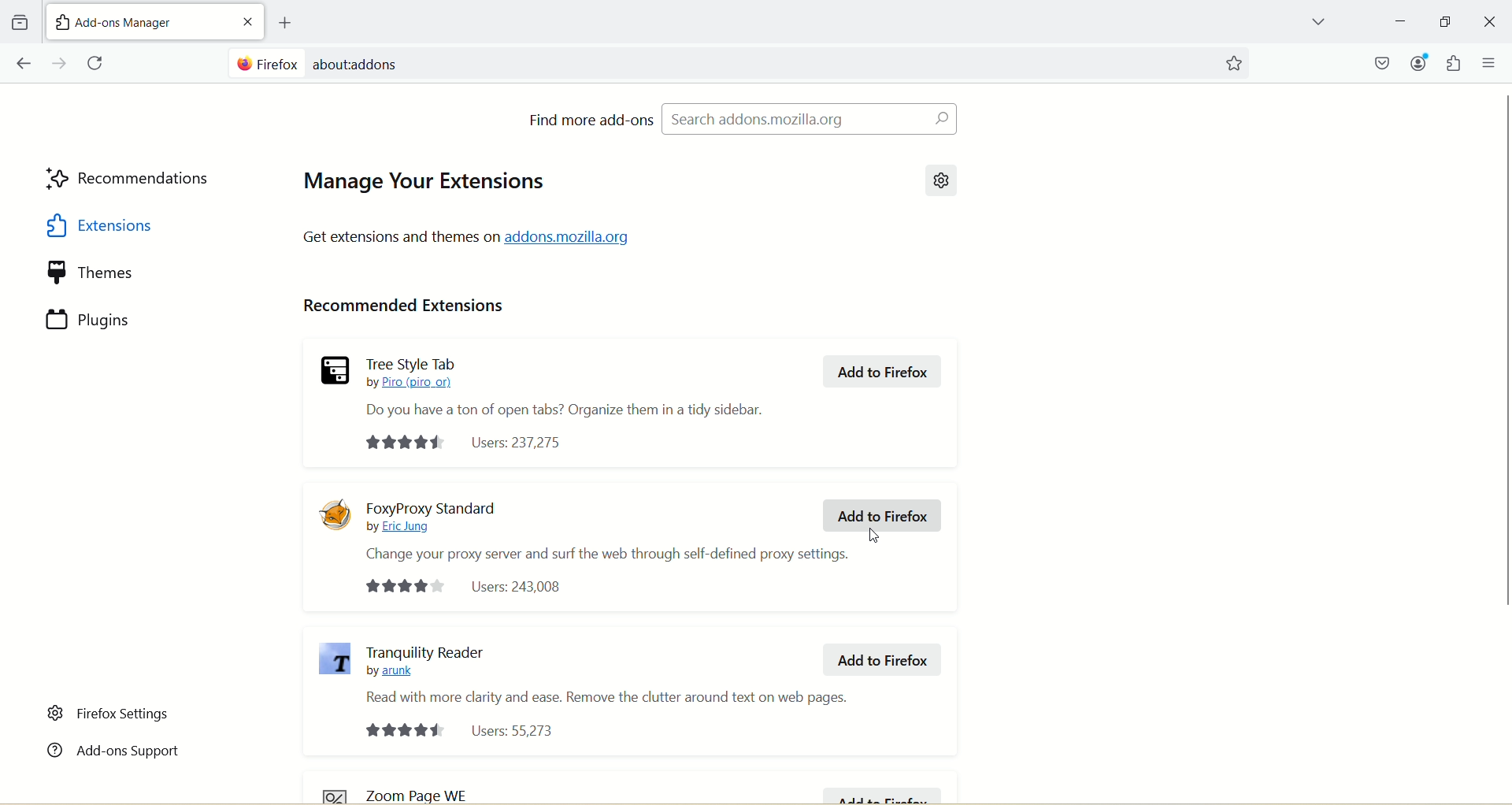 The image size is (1512, 805). What do you see at coordinates (133, 273) in the screenshot?
I see `Theme` at bounding box center [133, 273].